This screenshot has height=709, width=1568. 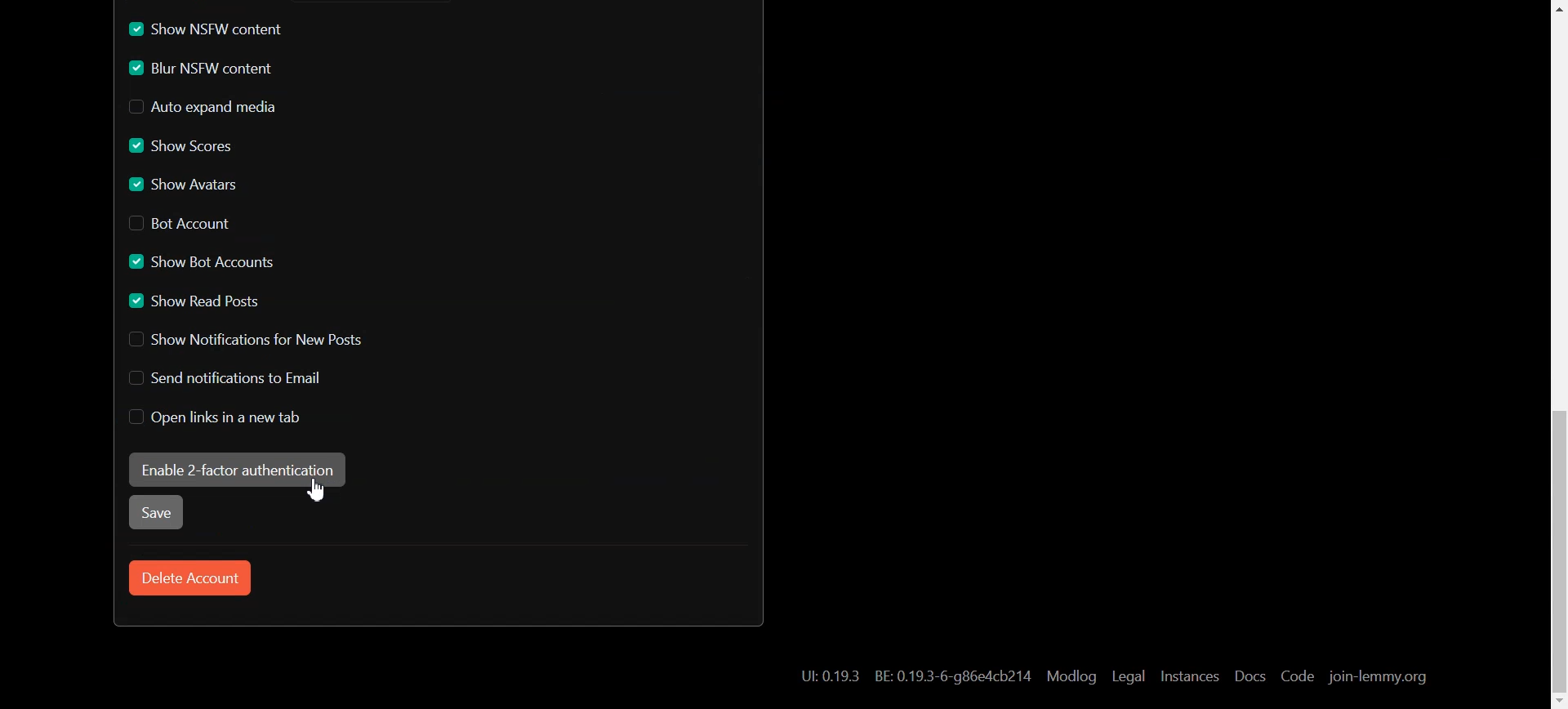 I want to click on Disable Auto expand media, so click(x=230, y=108).